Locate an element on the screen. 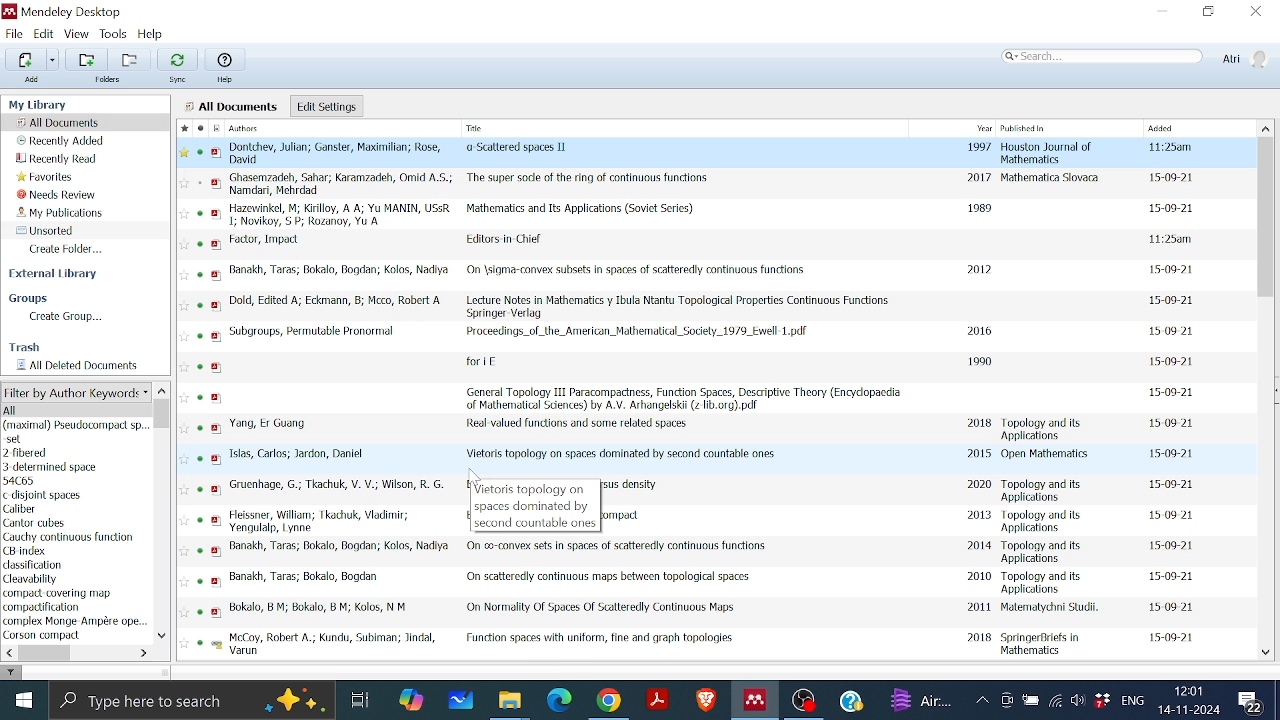  Add is located at coordinates (24, 60).